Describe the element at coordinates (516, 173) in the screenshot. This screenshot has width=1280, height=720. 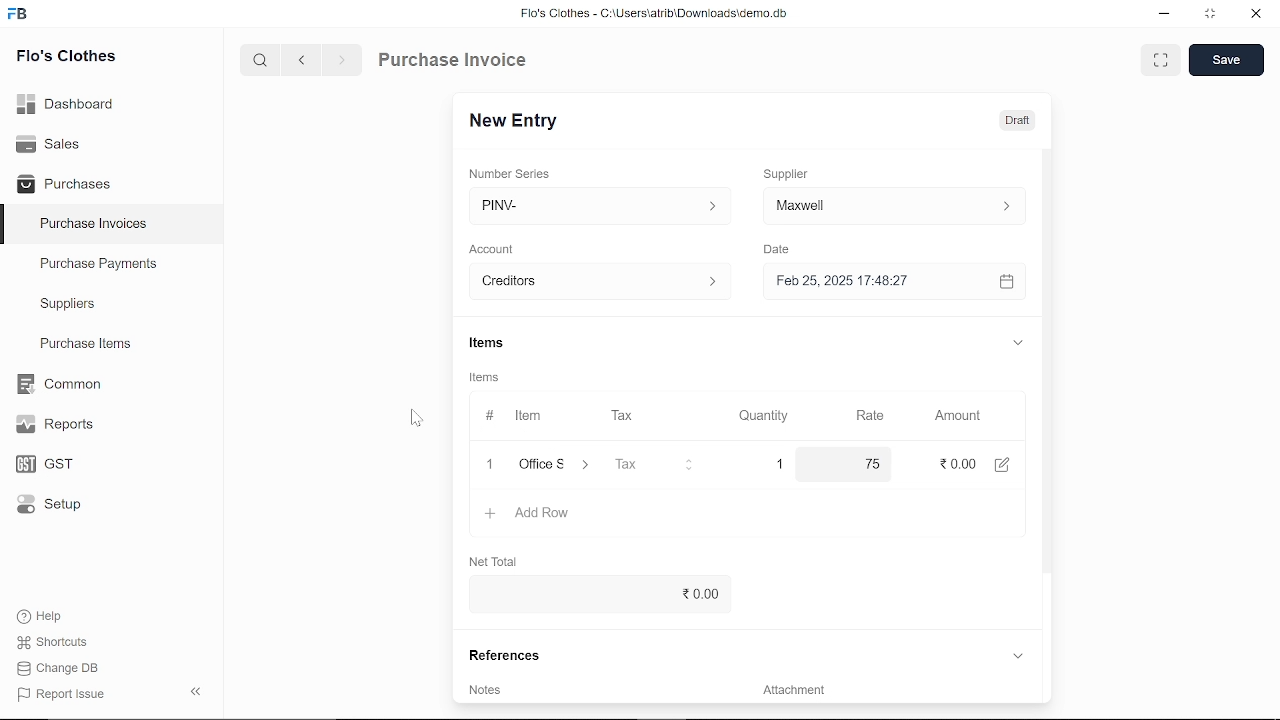
I see `‘Number Series` at that location.